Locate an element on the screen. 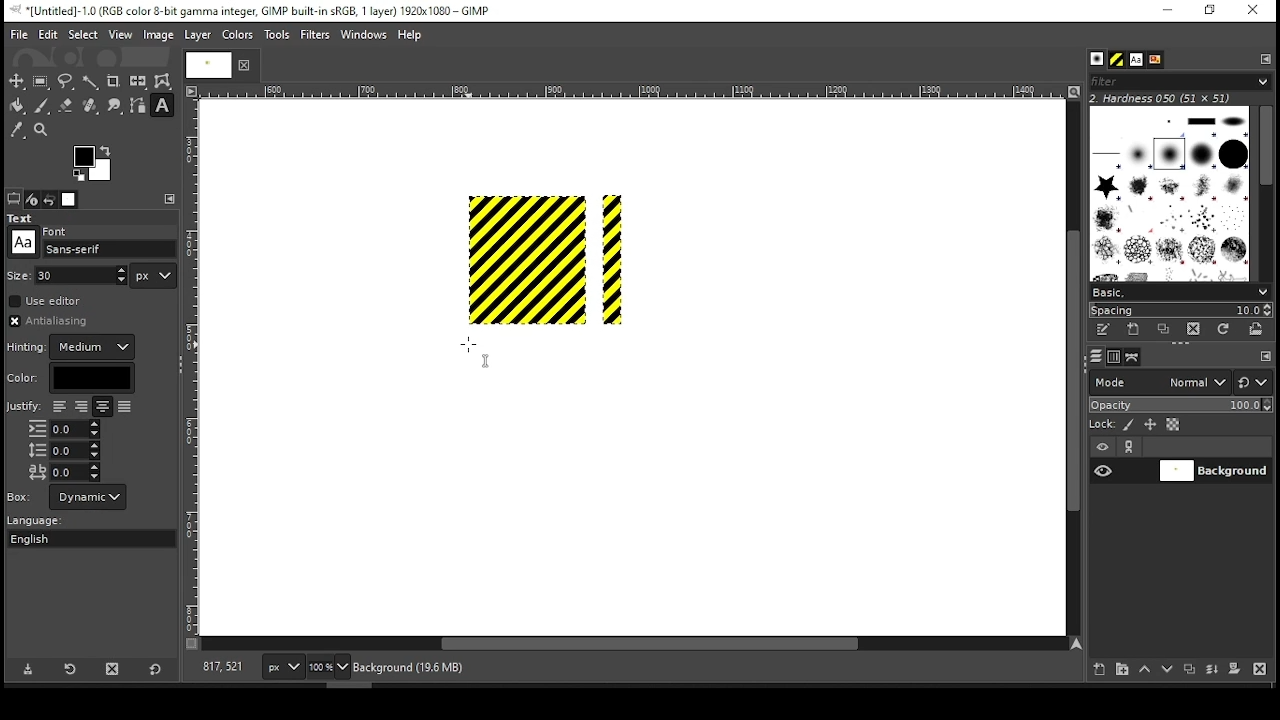 The width and height of the screenshot is (1280, 720). paint bucket tool is located at coordinates (18, 105).